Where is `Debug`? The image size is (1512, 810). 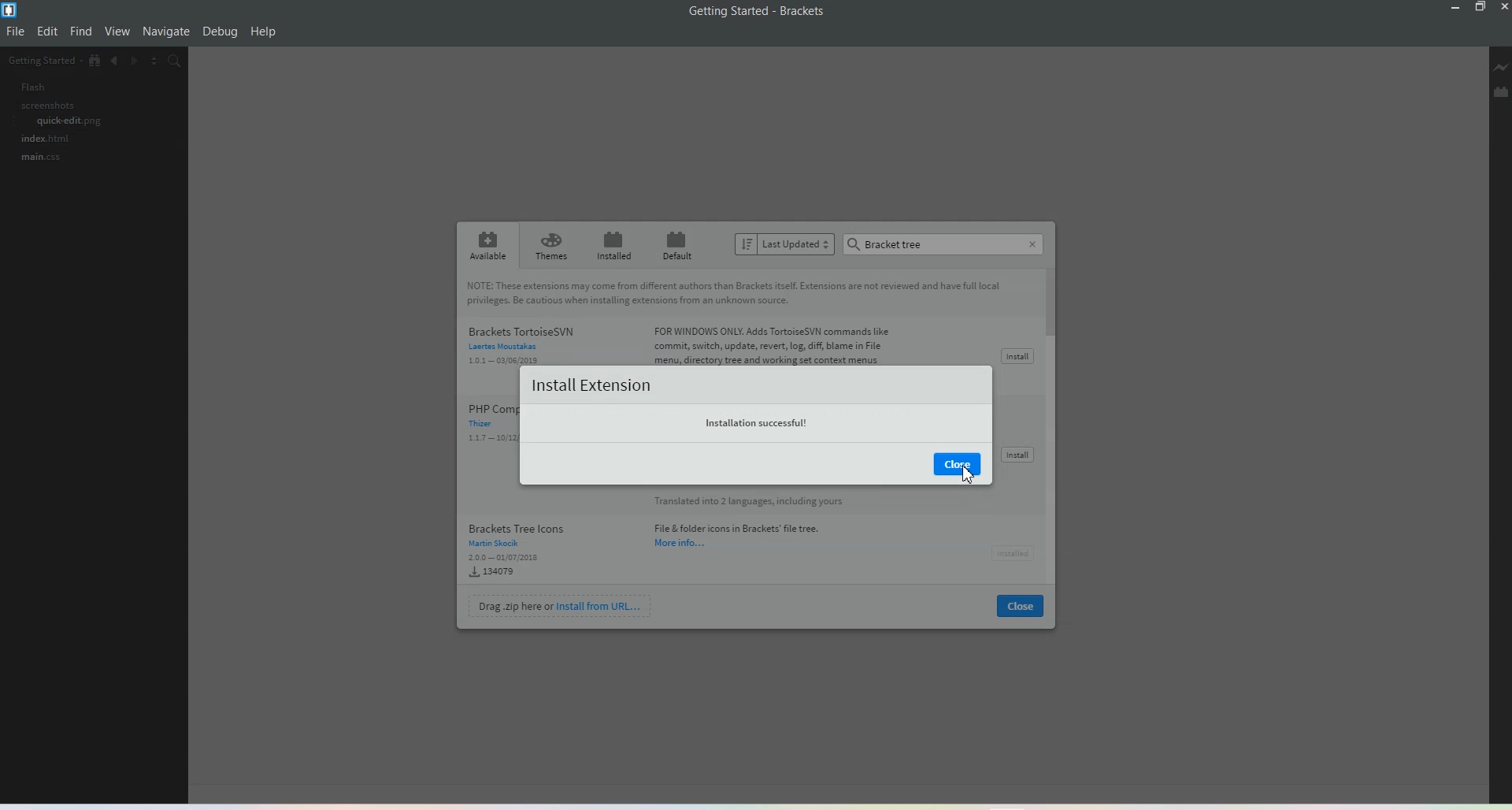
Debug is located at coordinates (220, 32).